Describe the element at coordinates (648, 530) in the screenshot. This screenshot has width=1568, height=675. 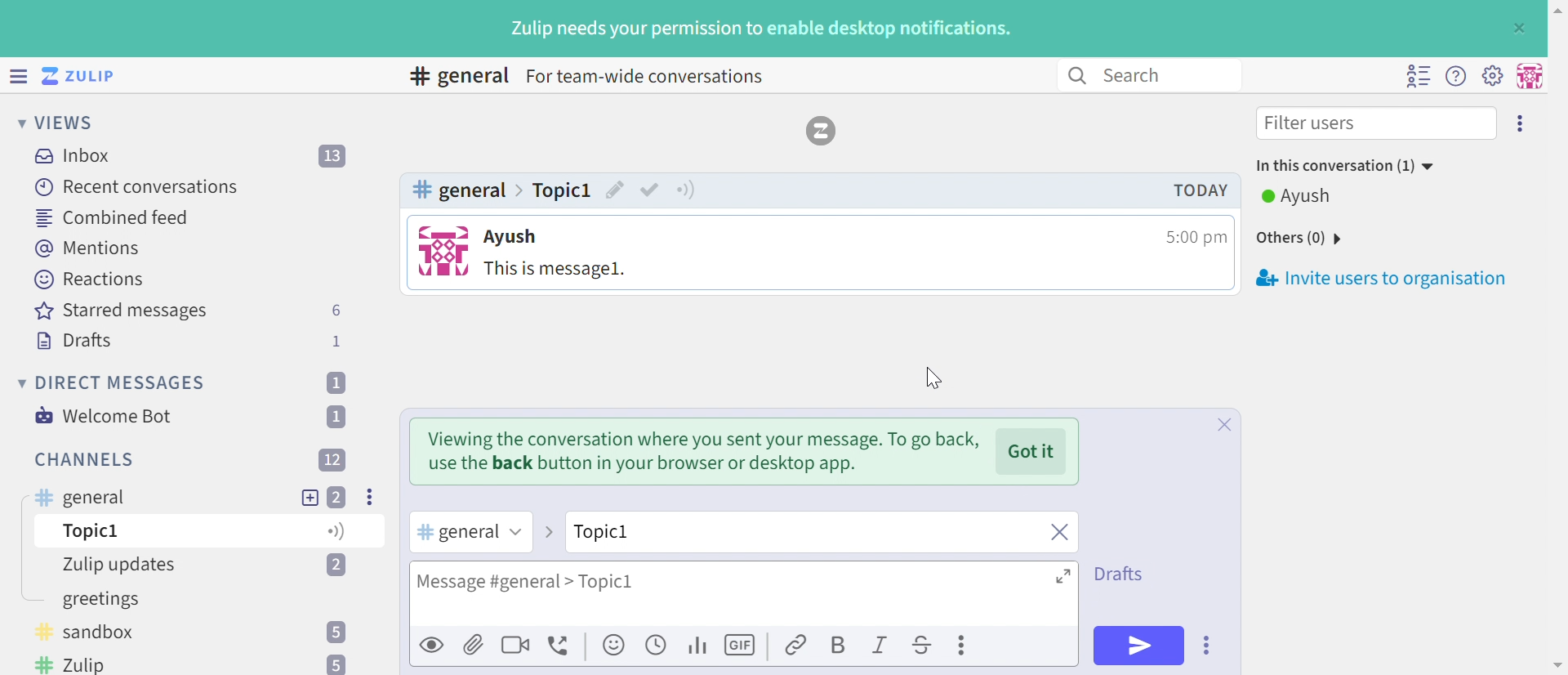
I see `Topic1` at that location.